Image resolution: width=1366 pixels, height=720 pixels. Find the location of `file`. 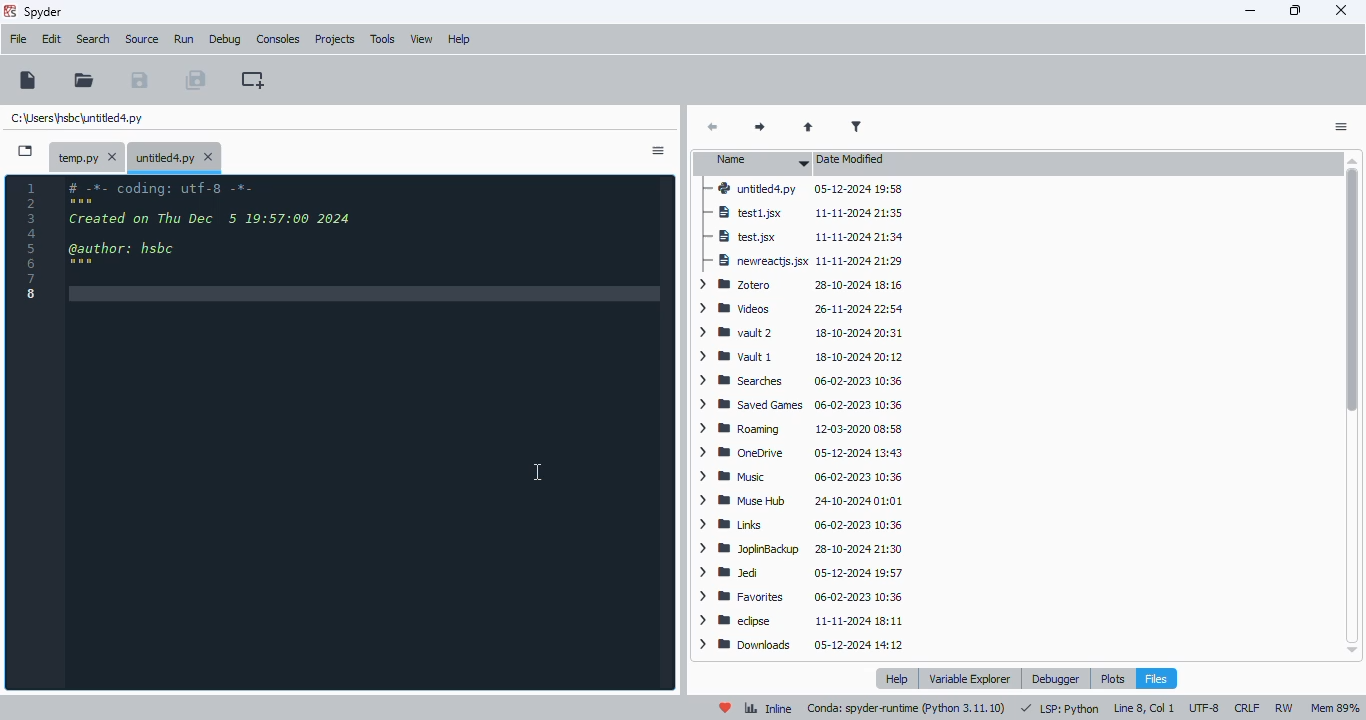

file is located at coordinates (18, 39).